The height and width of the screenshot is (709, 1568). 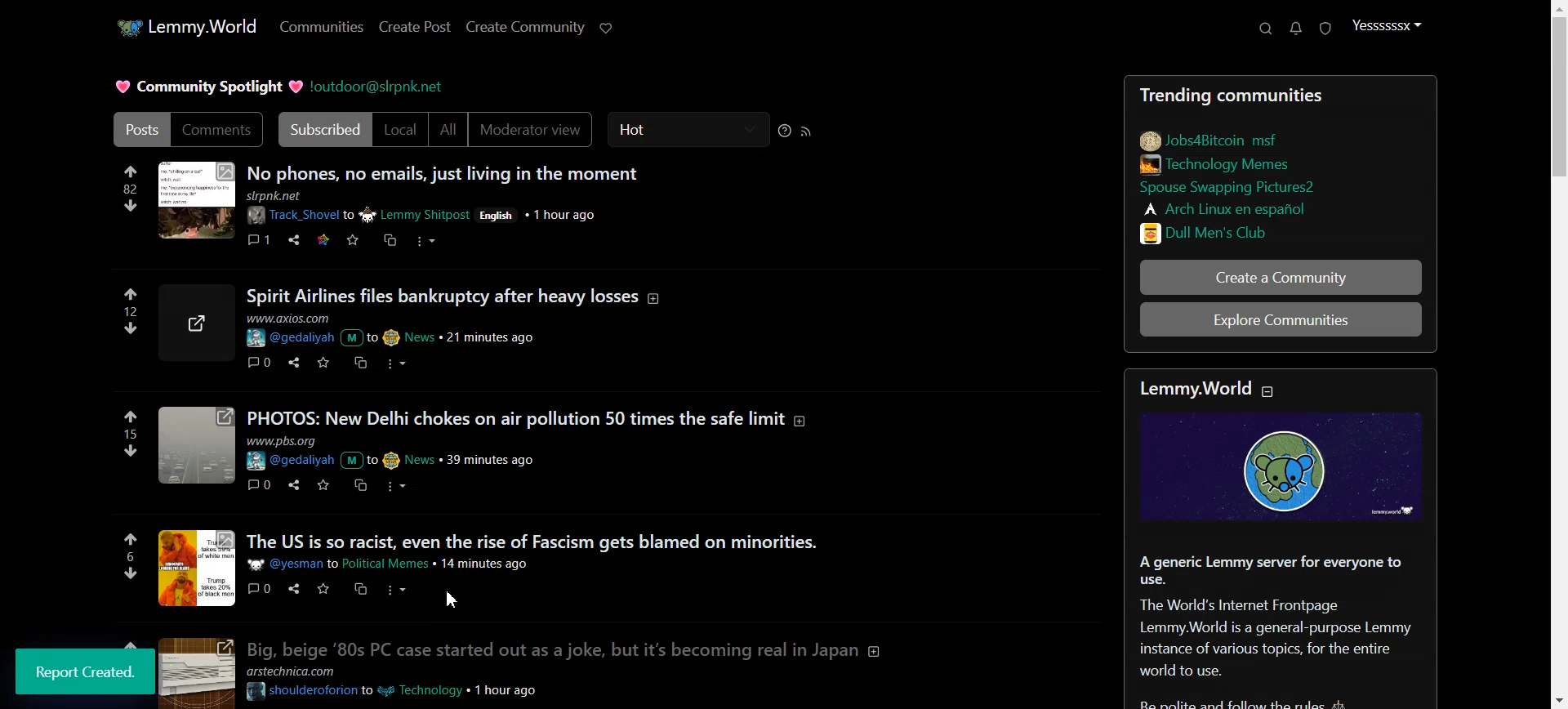 I want to click on Support Limmy, so click(x=607, y=28).